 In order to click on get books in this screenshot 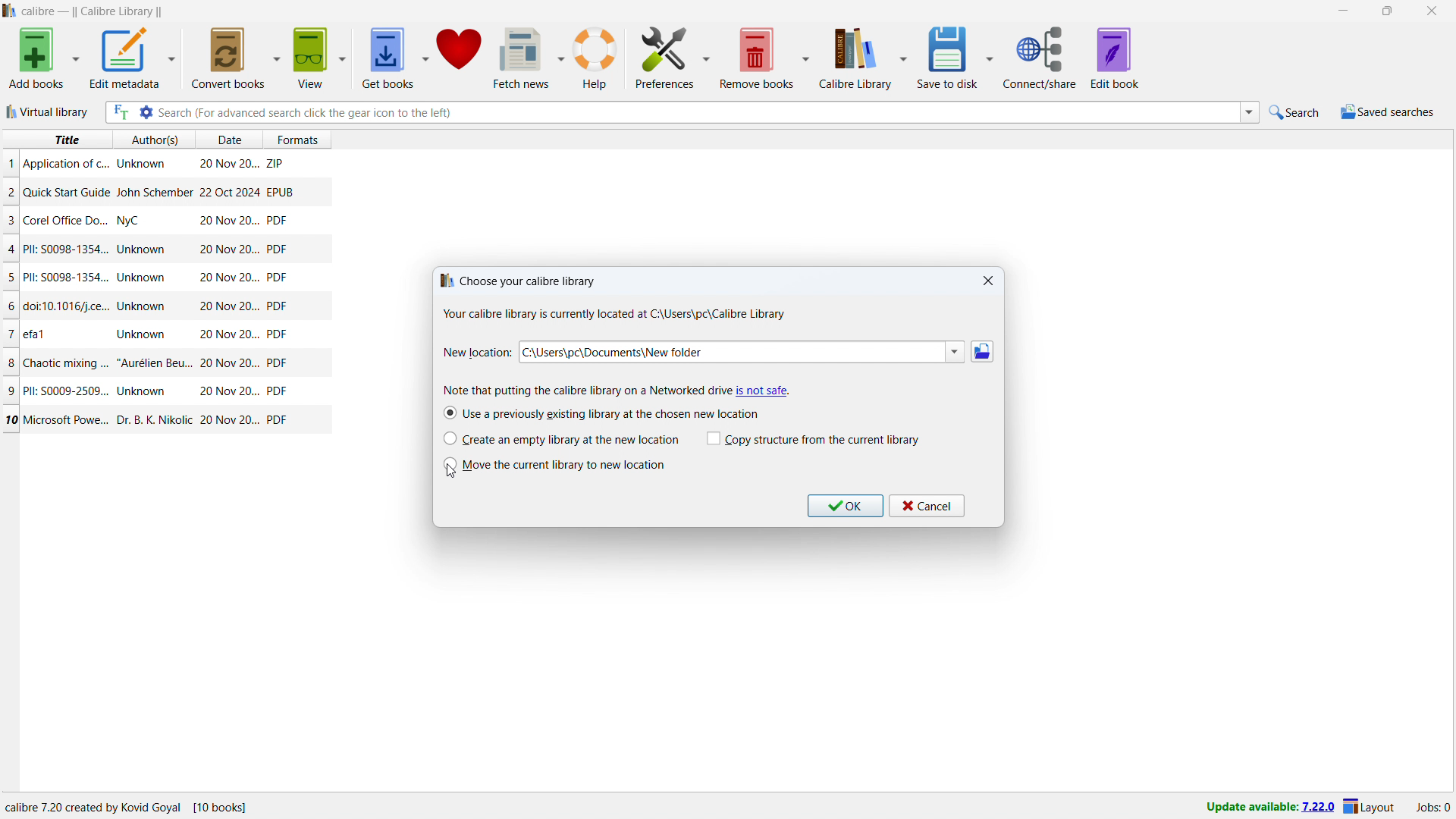, I will do `click(387, 58)`.